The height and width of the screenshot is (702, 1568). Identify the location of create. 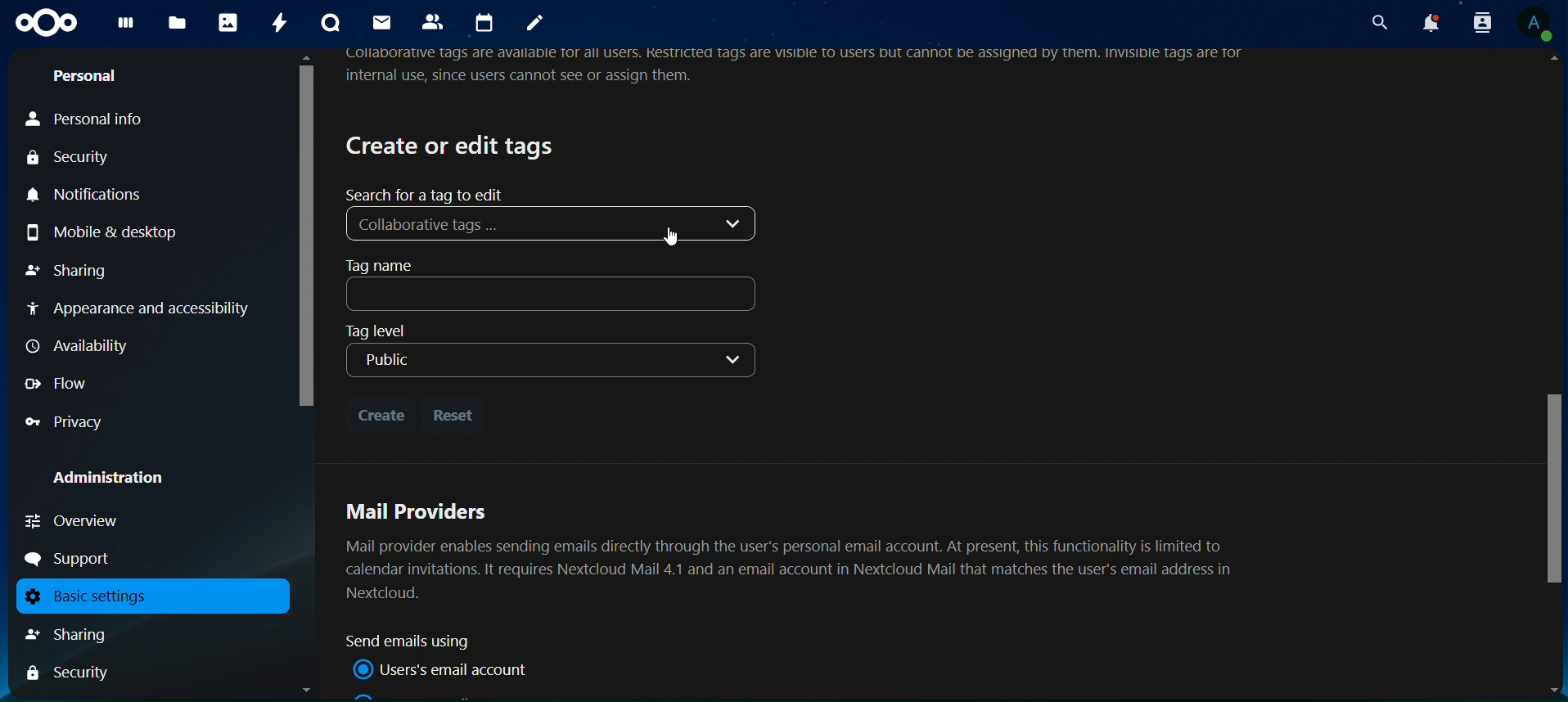
(381, 412).